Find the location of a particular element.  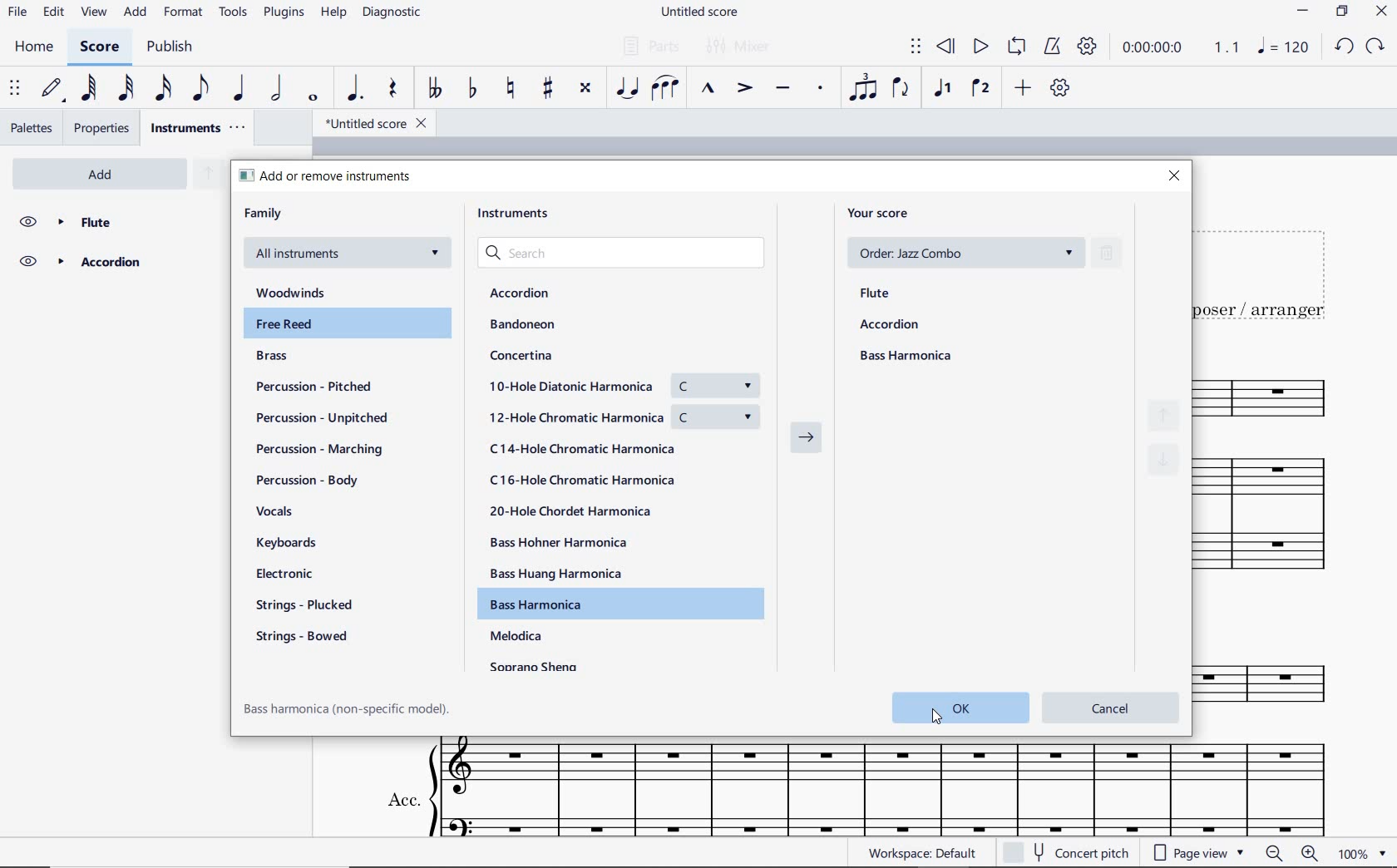

16th note is located at coordinates (164, 88).